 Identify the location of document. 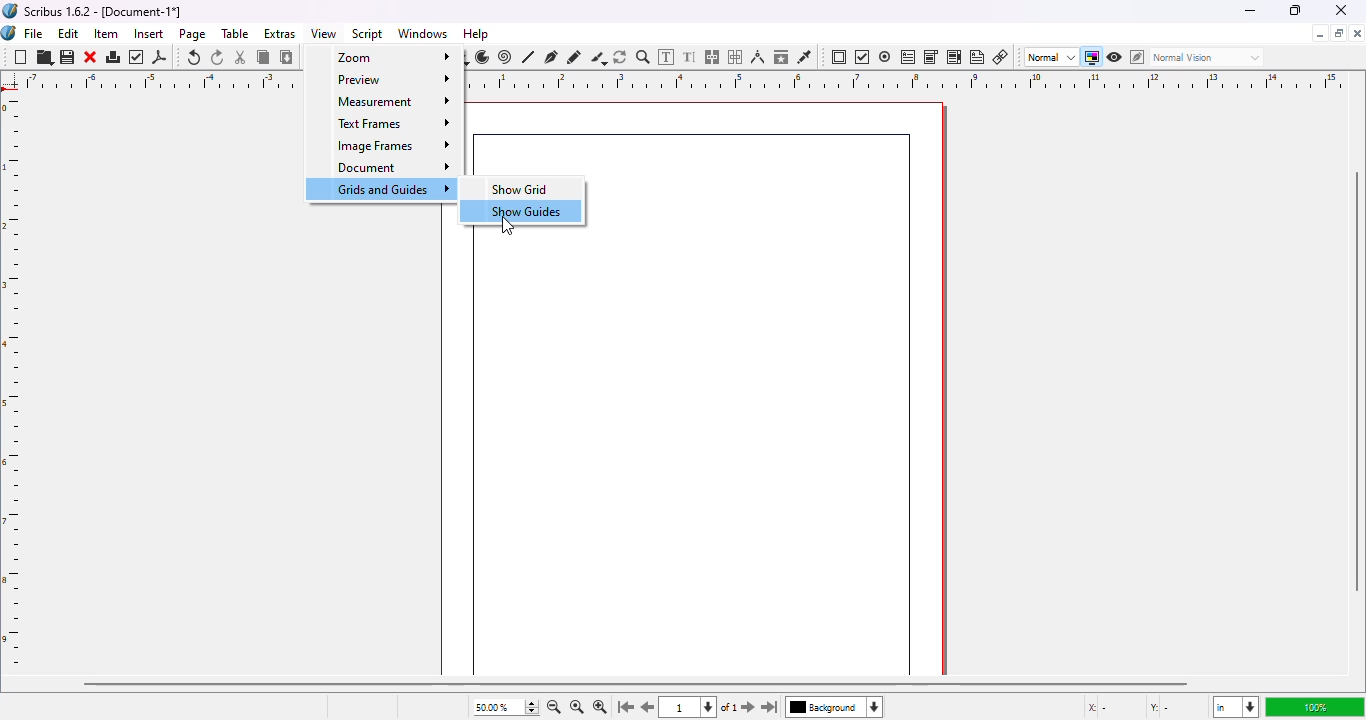
(386, 168).